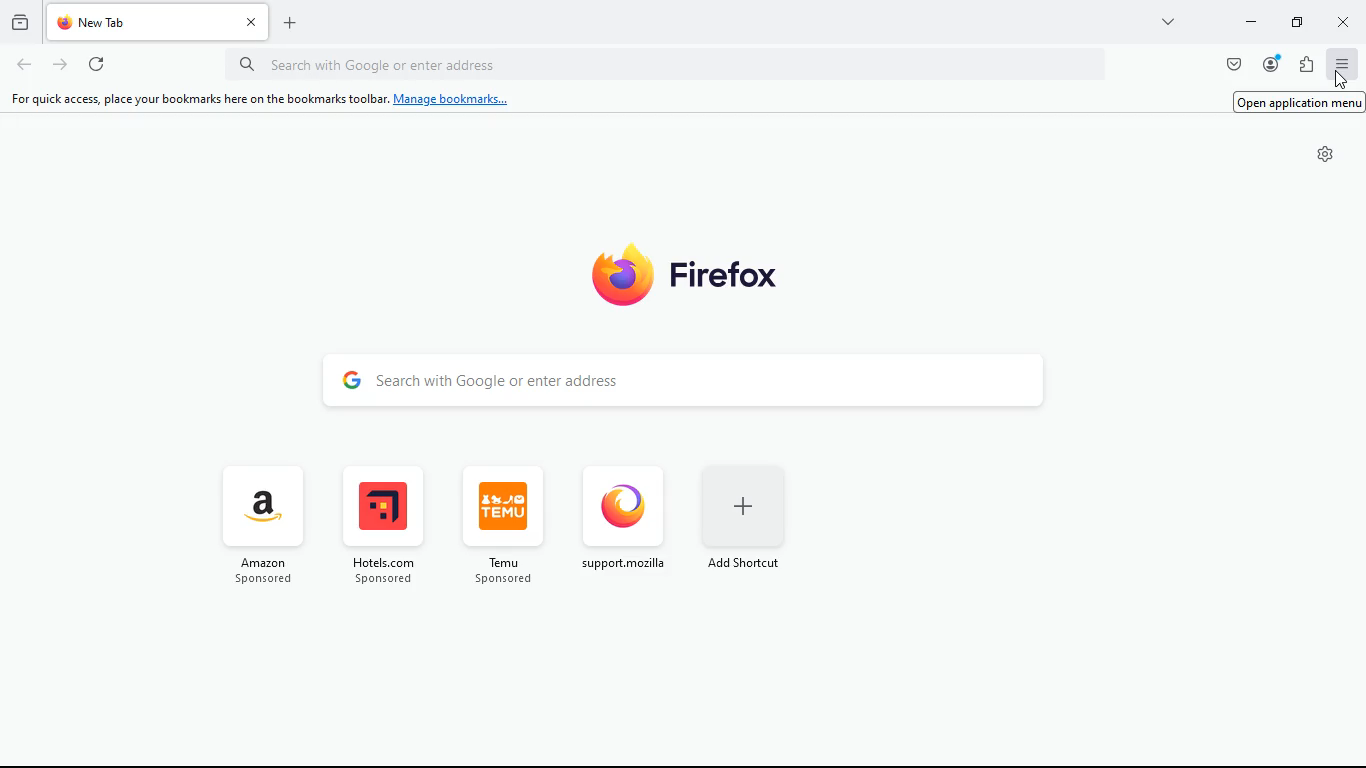 This screenshot has width=1366, height=768. What do you see at coordinates (269, 527) in the screenshot?
I see `amazon` at bounding box center [269, 527].